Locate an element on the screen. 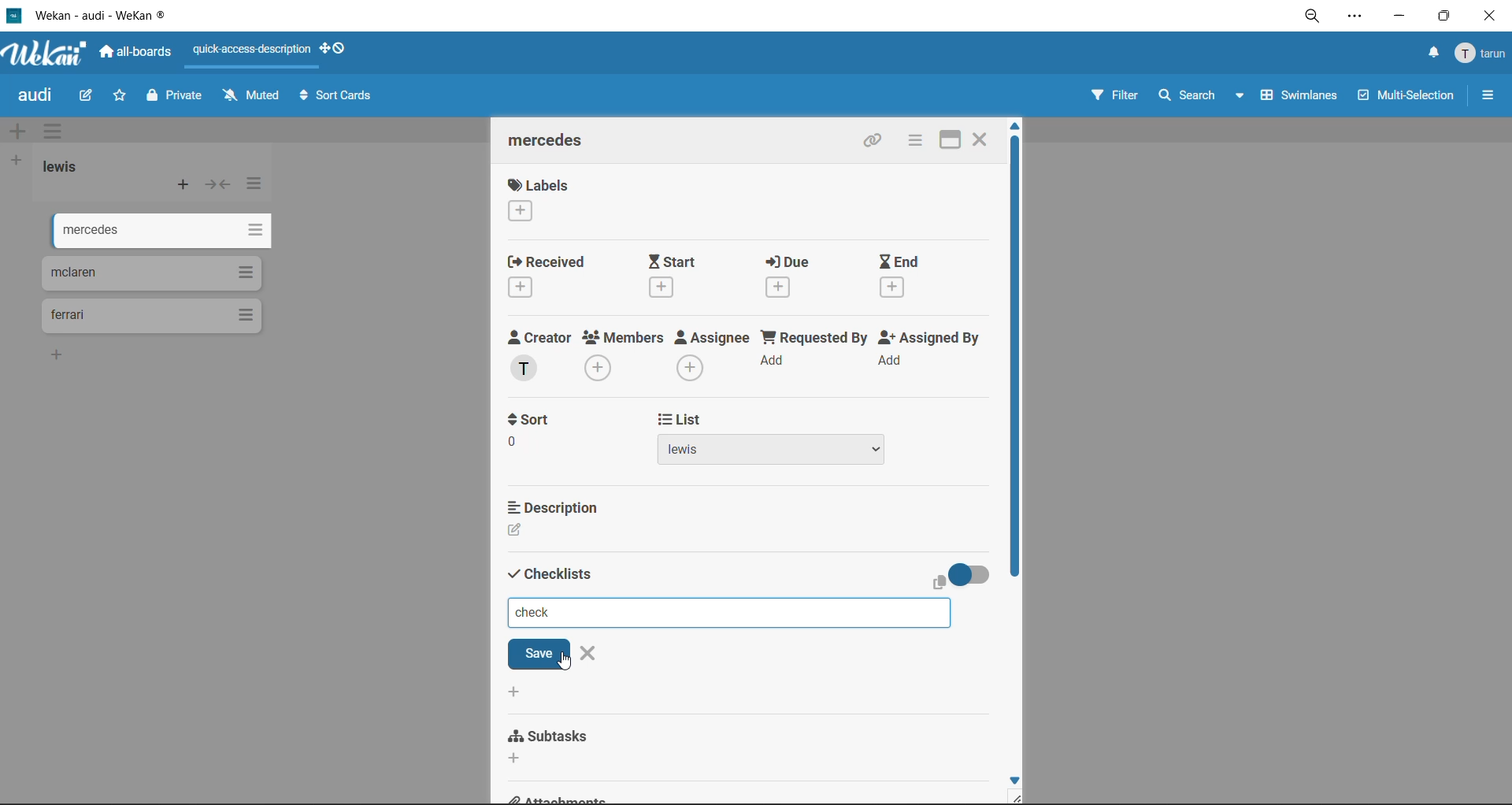  start is located at coordinates (684, 276).